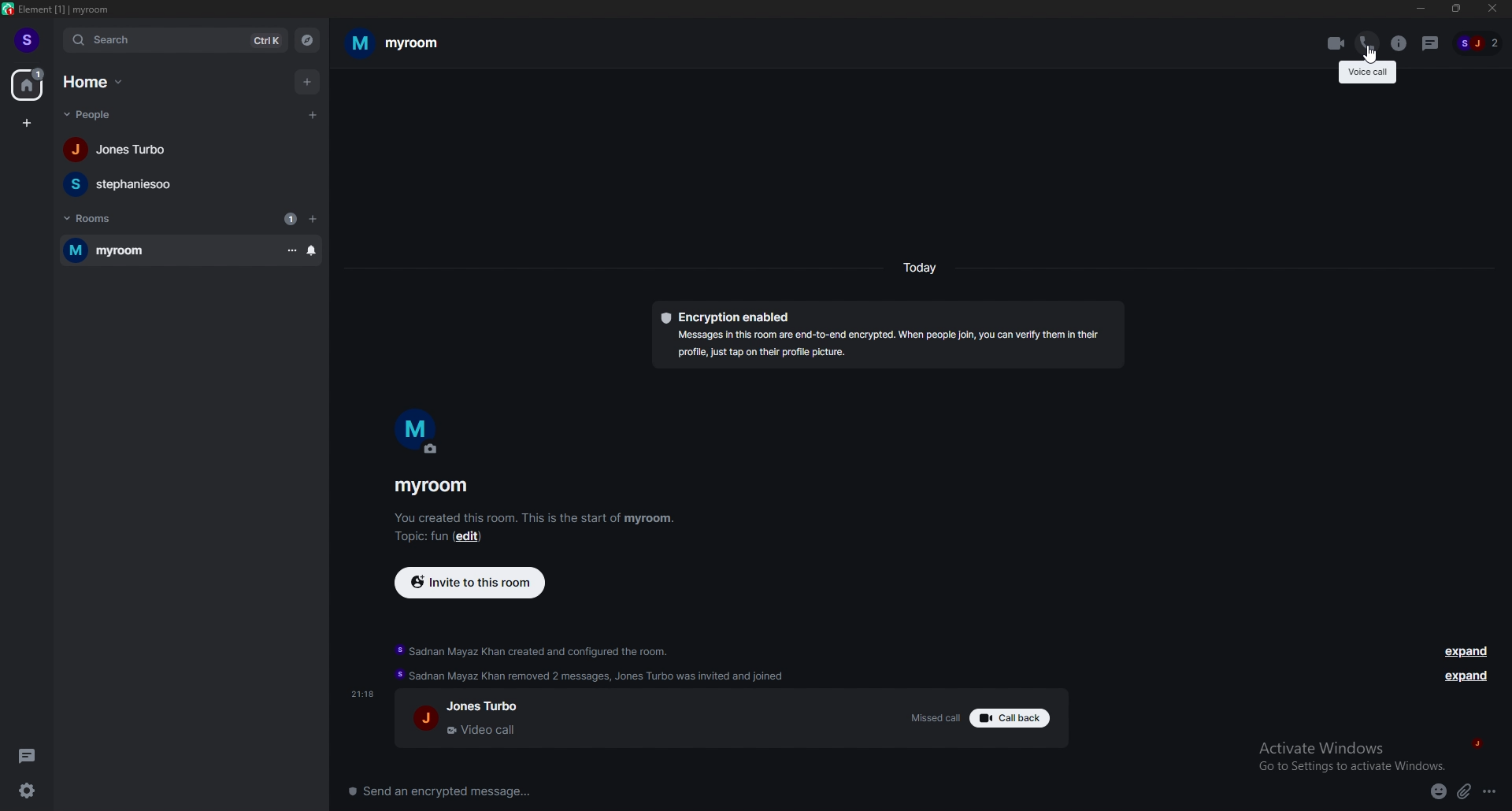 The image size is (1512, 811). What do you see at coordinates (31, 754) in the screenshot?
I see `threads` at bounding box center [31, 754].